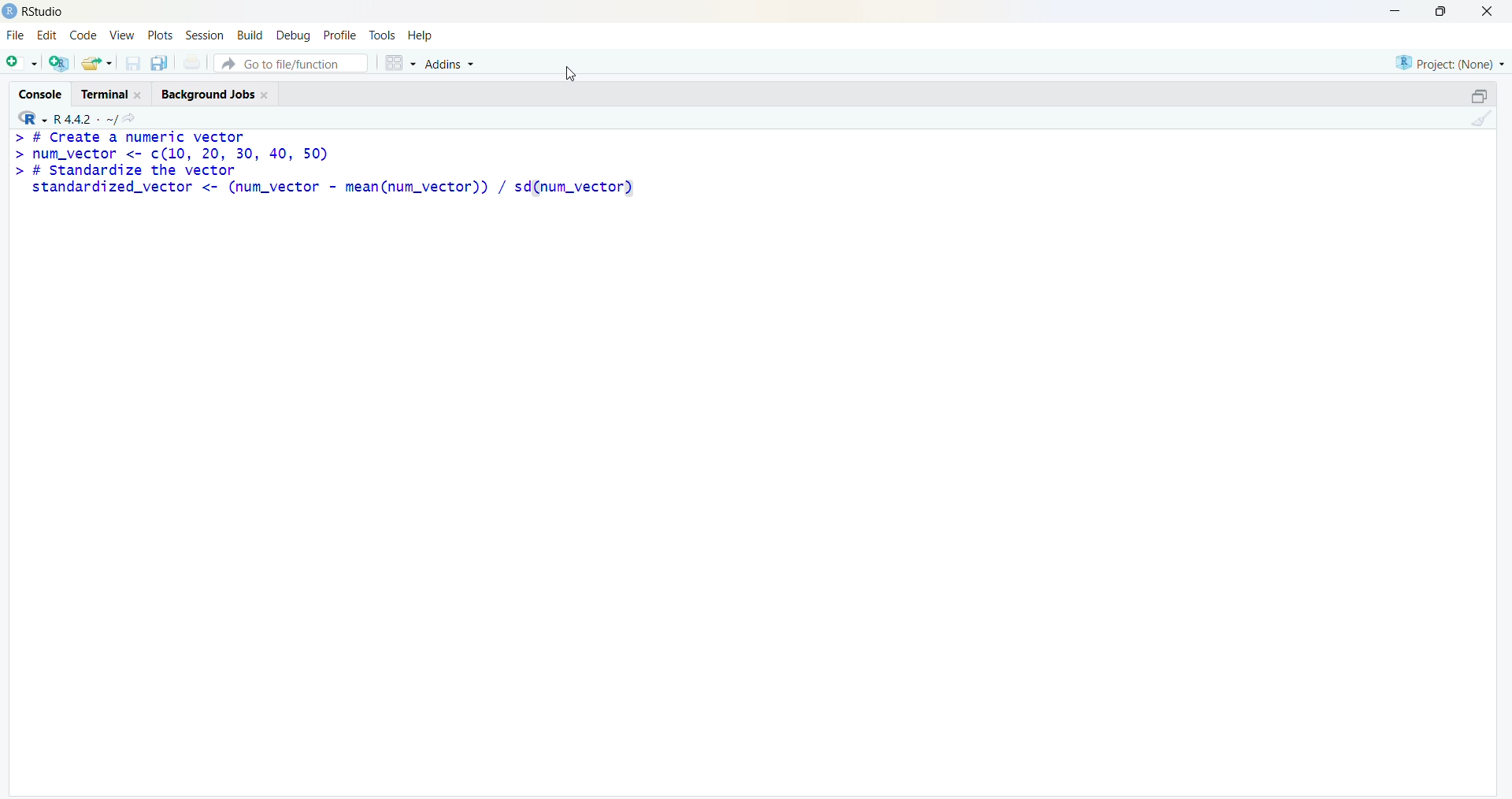 The width and height of the screenshot is (1512, 799). I want to click on clean, so click(1482, 118).